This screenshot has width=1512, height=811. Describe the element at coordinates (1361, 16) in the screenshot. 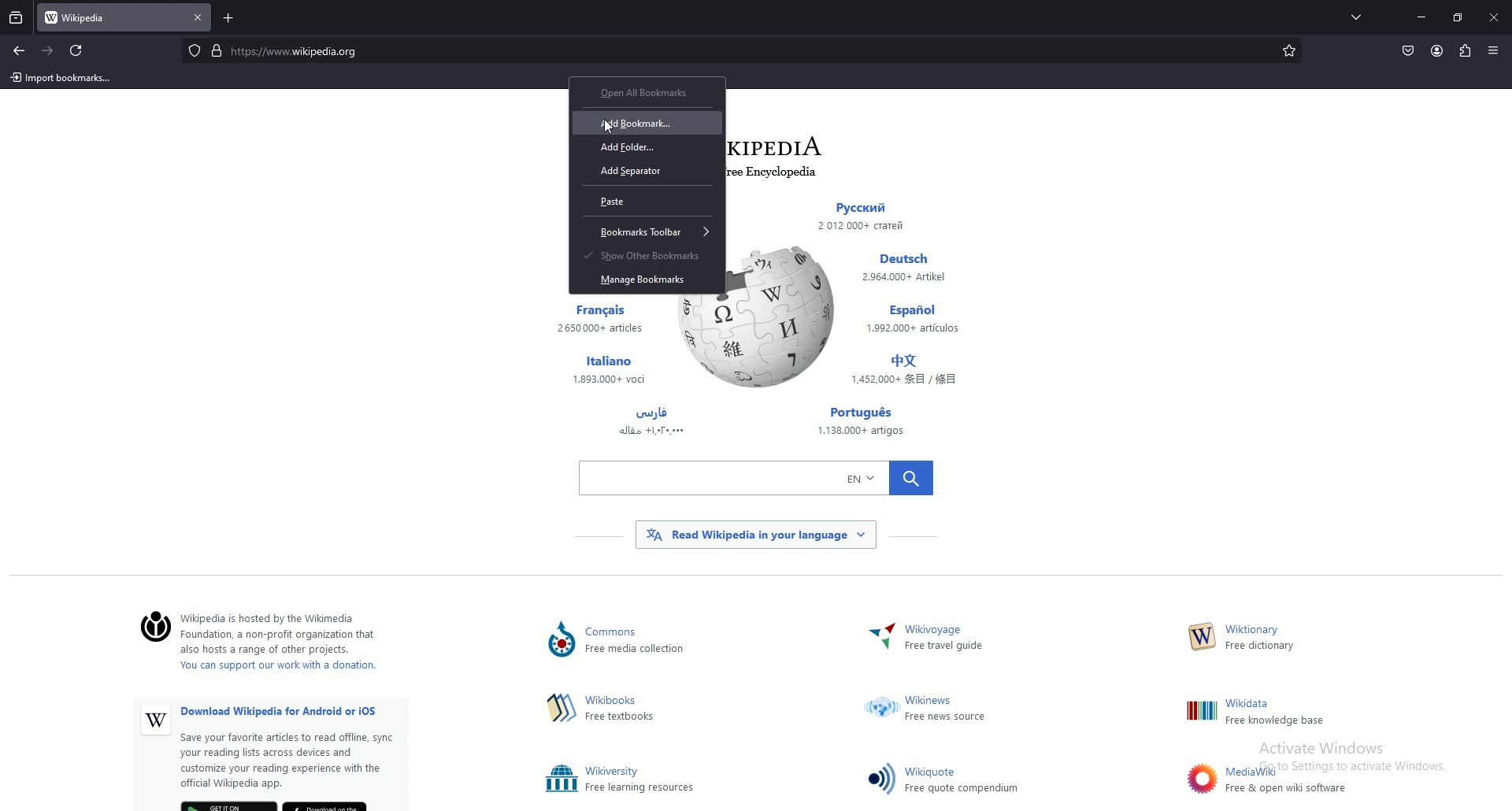

I see `list all tabs` at that location.